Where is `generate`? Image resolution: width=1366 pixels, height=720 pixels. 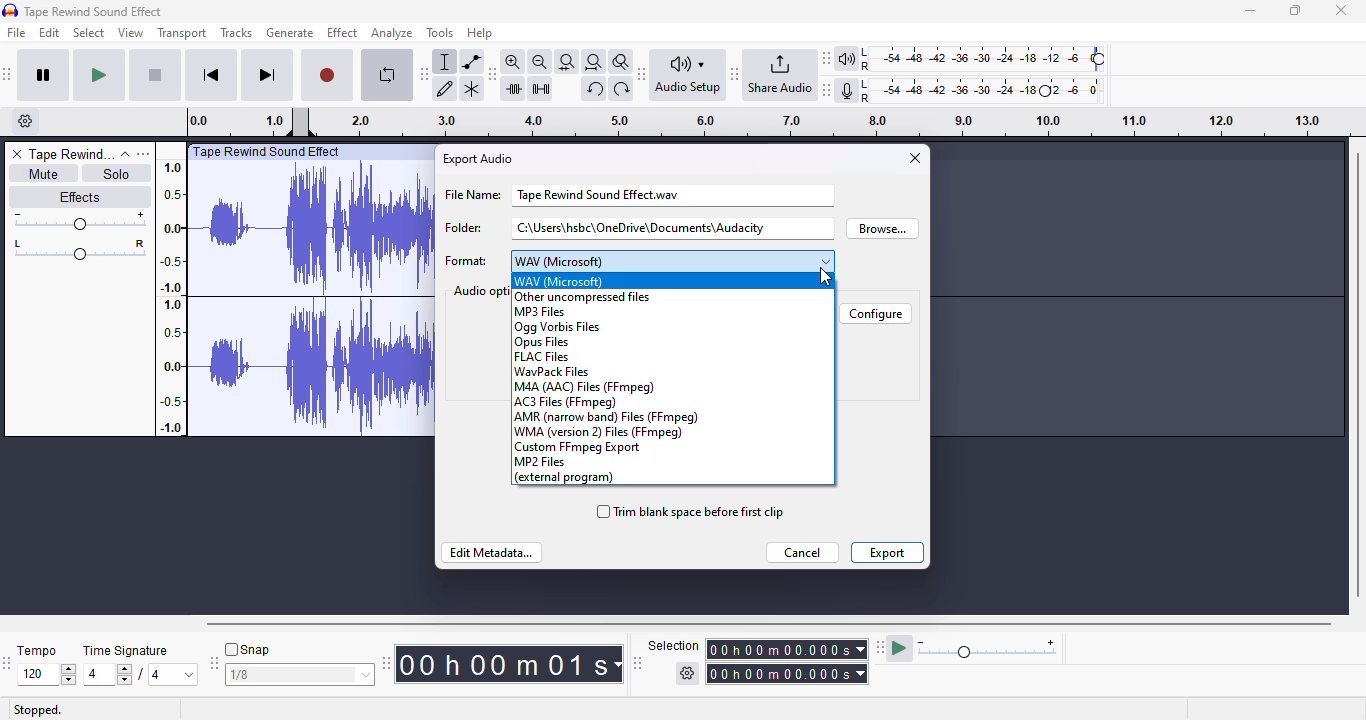
generate is located at coordinates (289, 33).